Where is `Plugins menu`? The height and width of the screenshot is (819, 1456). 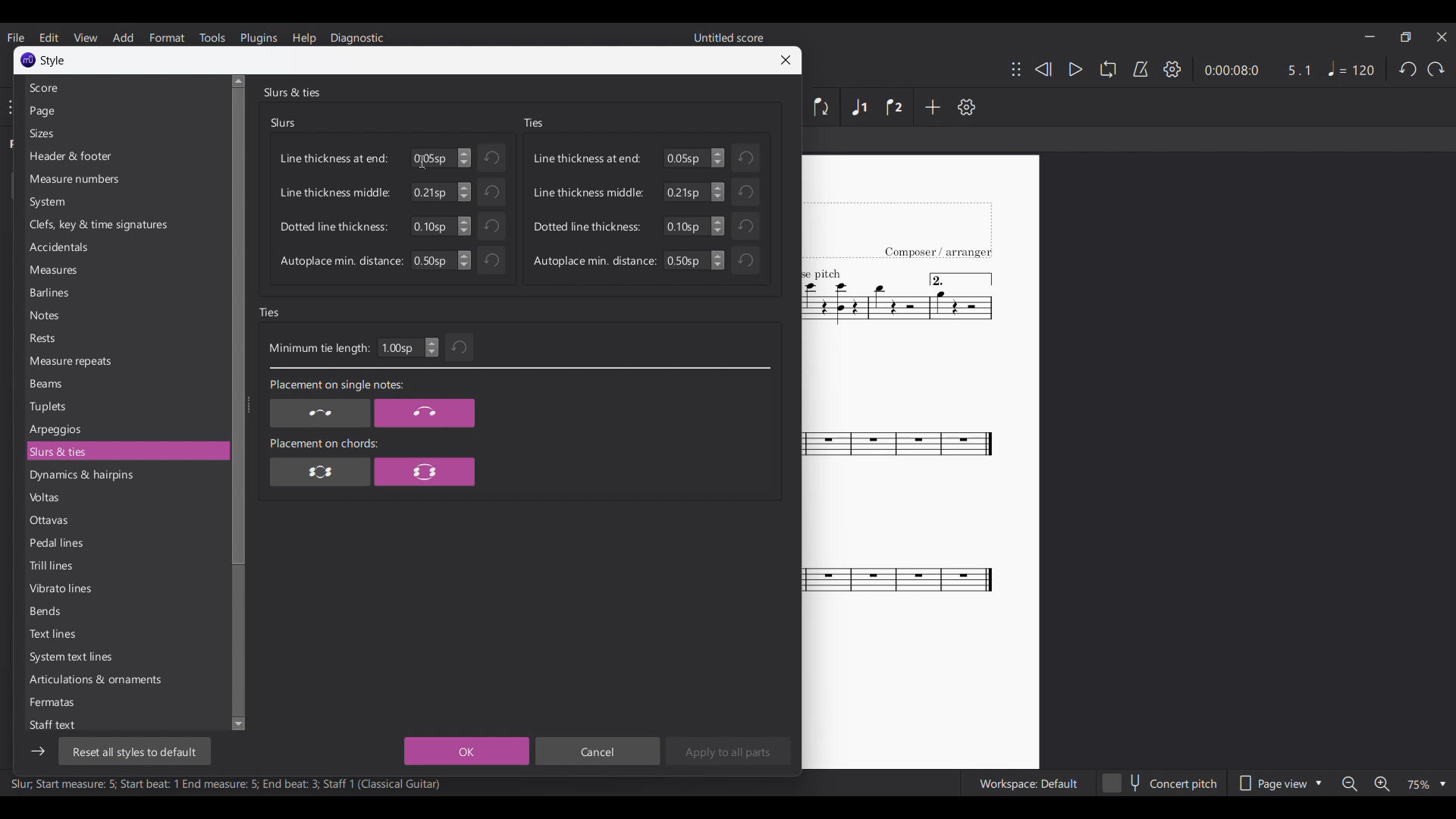 Plugins menu is located at coordinates (259, 37).